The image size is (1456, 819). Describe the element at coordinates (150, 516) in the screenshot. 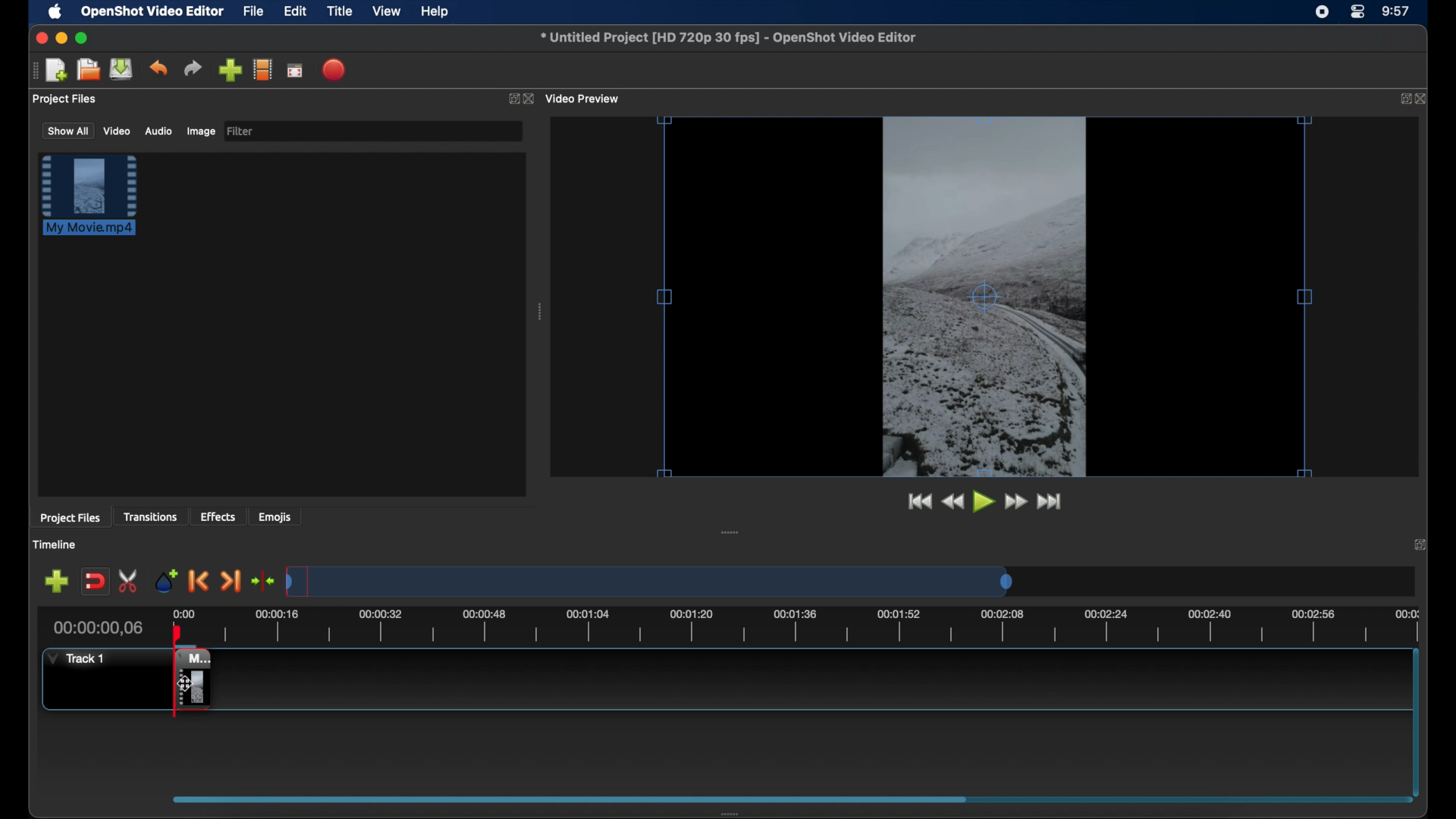

I see `transitions` at that location.